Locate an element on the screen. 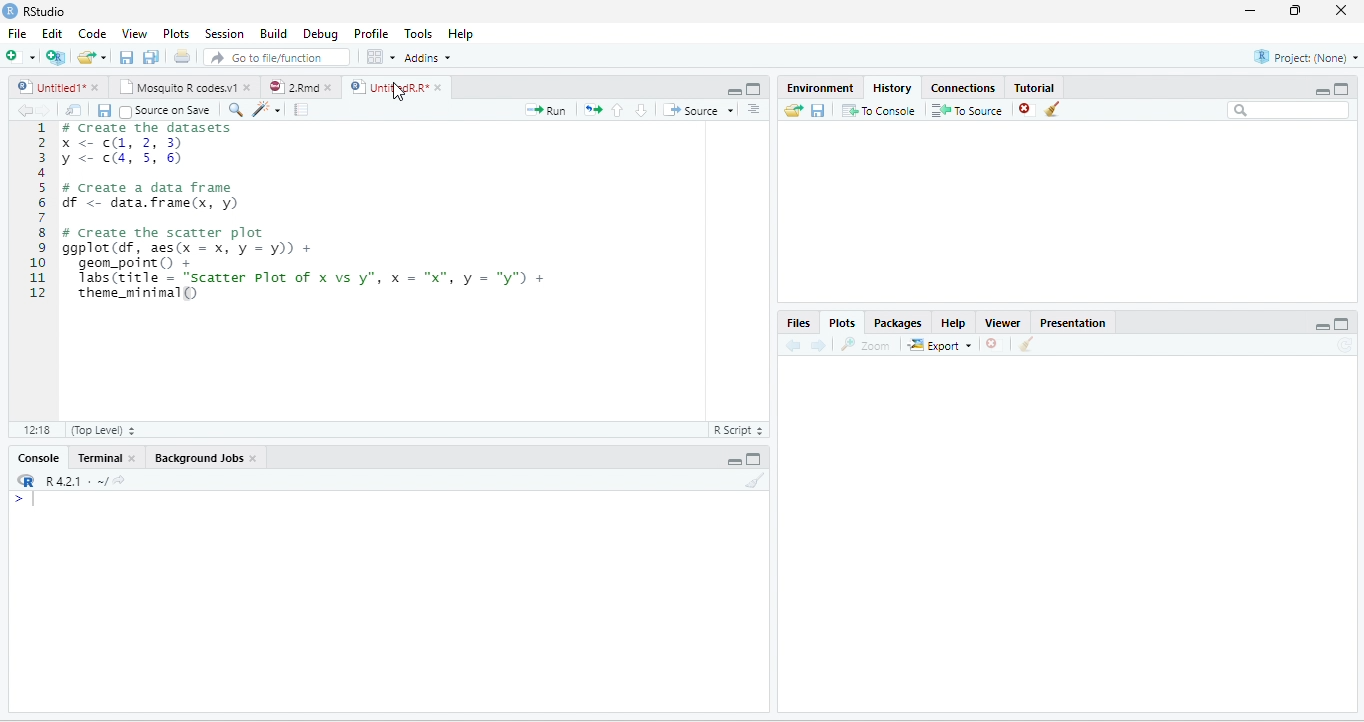 Image resolution: width=1364 pixels, height=722 pixels. close is located at coordinates (246, 87).